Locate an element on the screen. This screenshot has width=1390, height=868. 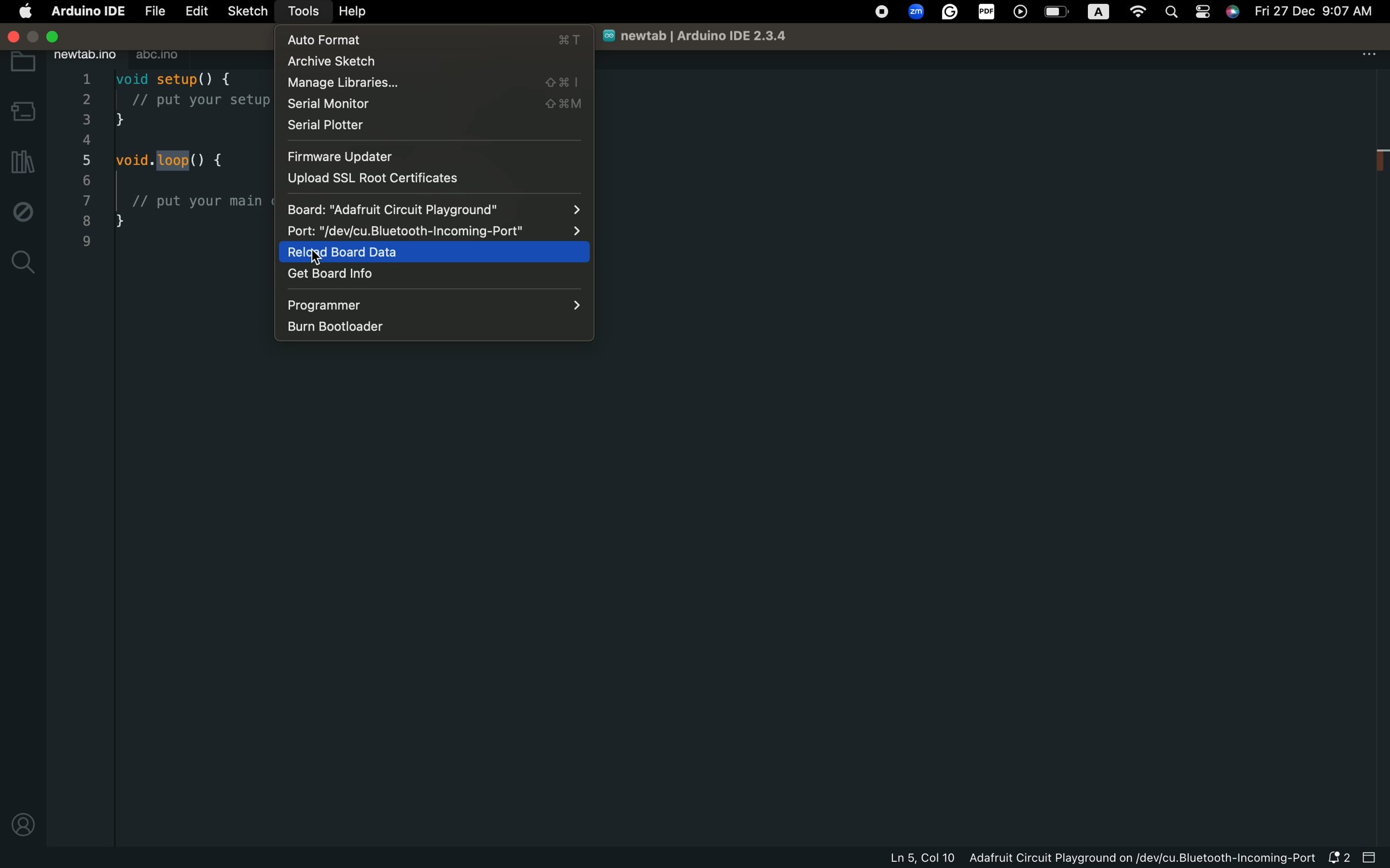
file setting is located at coordinates (1367, 54).